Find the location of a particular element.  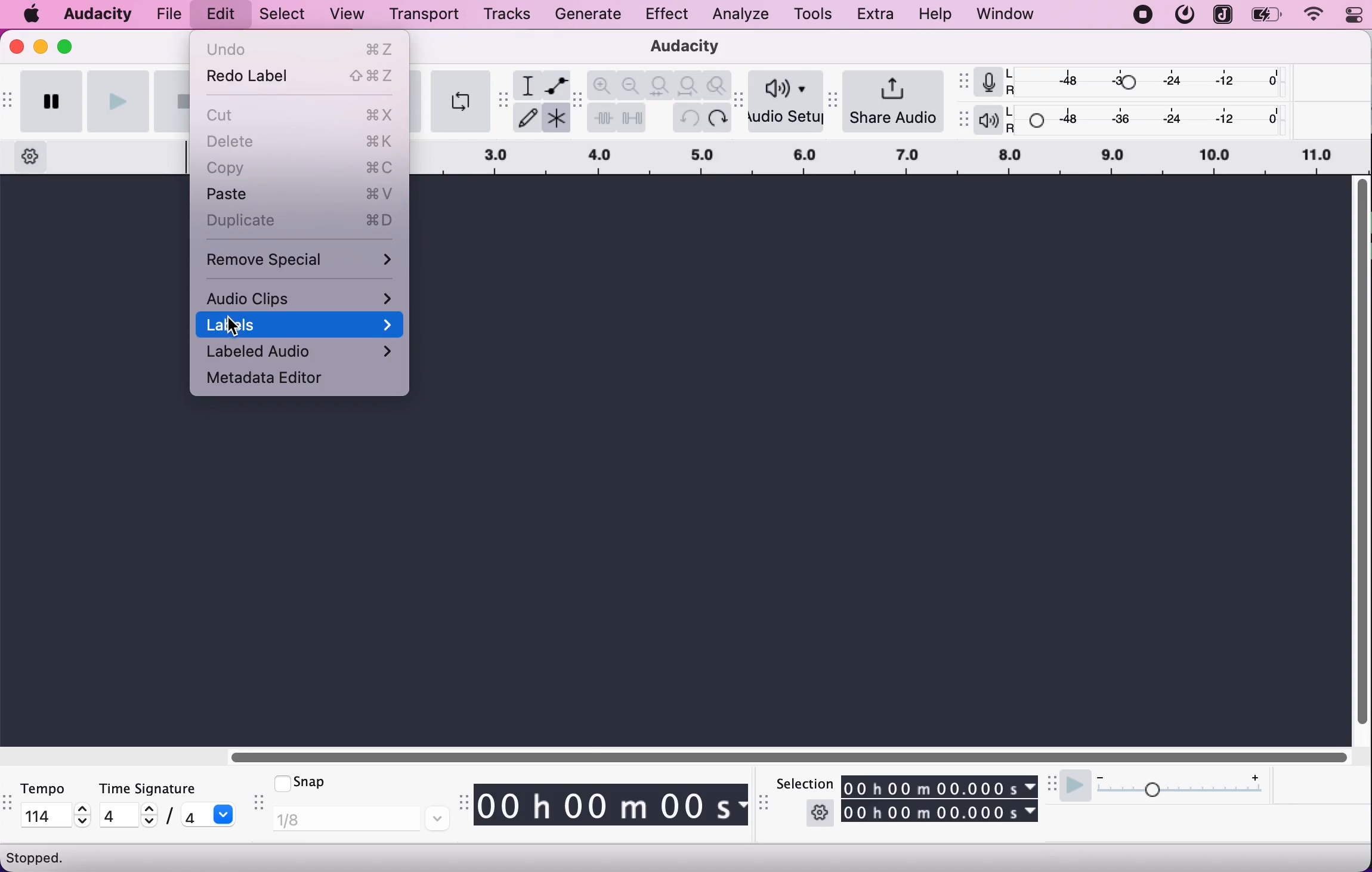

analyze is located at coordinates (737, 15).